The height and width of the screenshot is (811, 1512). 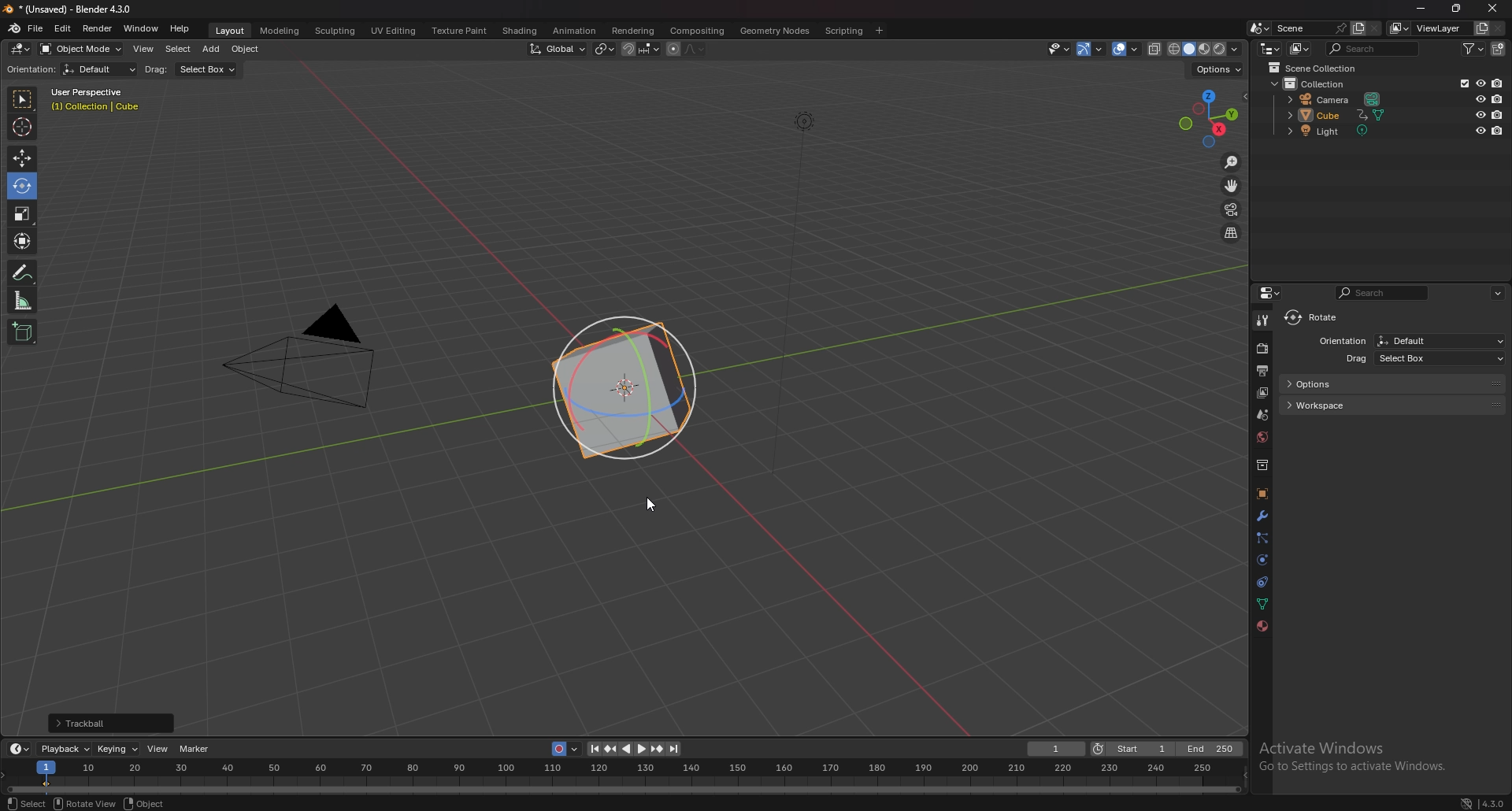 What do you see at coordinates (179, 49) in the screenshot?
I see `select` at bounding box center [179, 49].